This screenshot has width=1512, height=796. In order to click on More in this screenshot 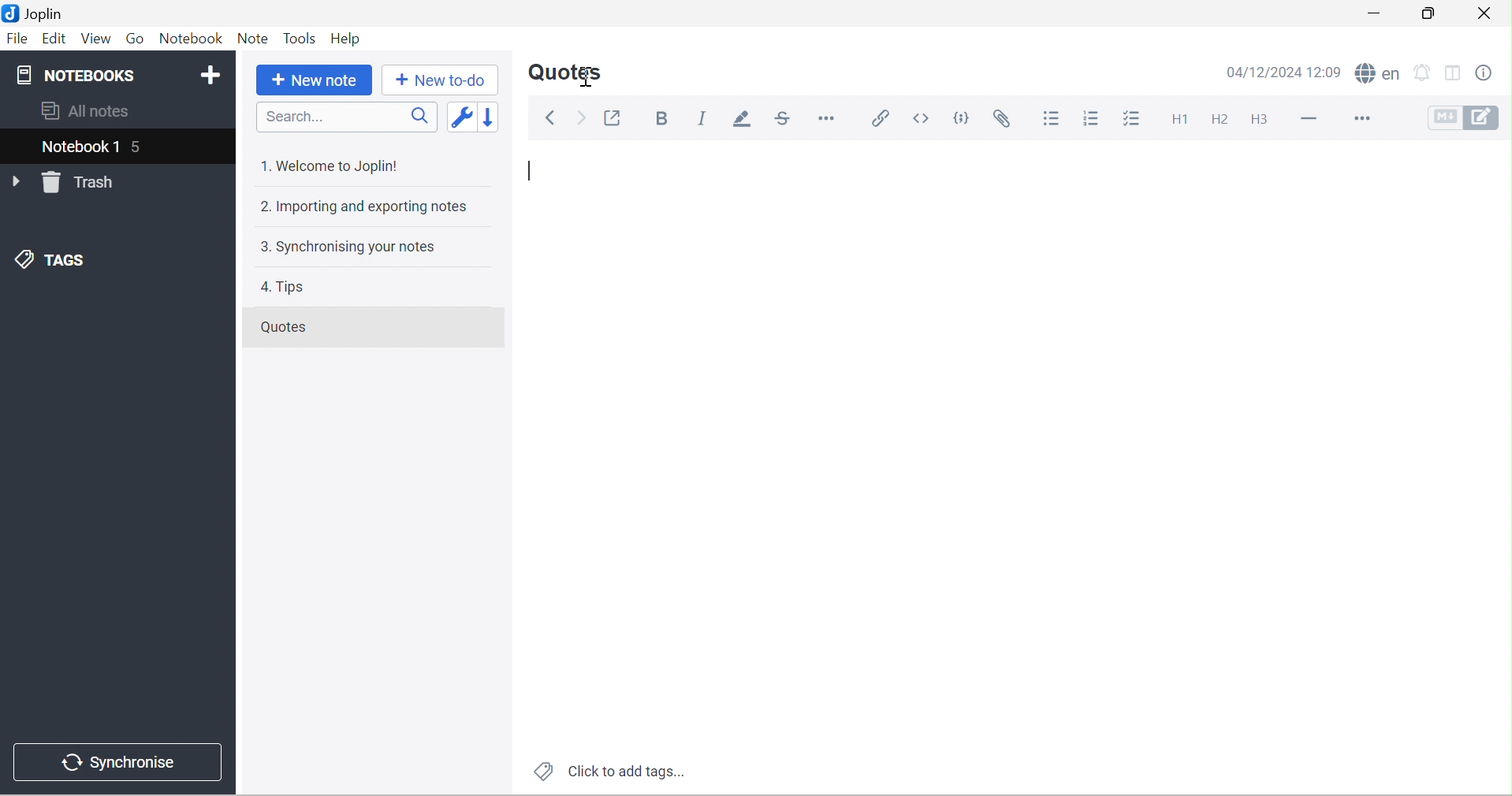, I will do `click(1361, 119)`.